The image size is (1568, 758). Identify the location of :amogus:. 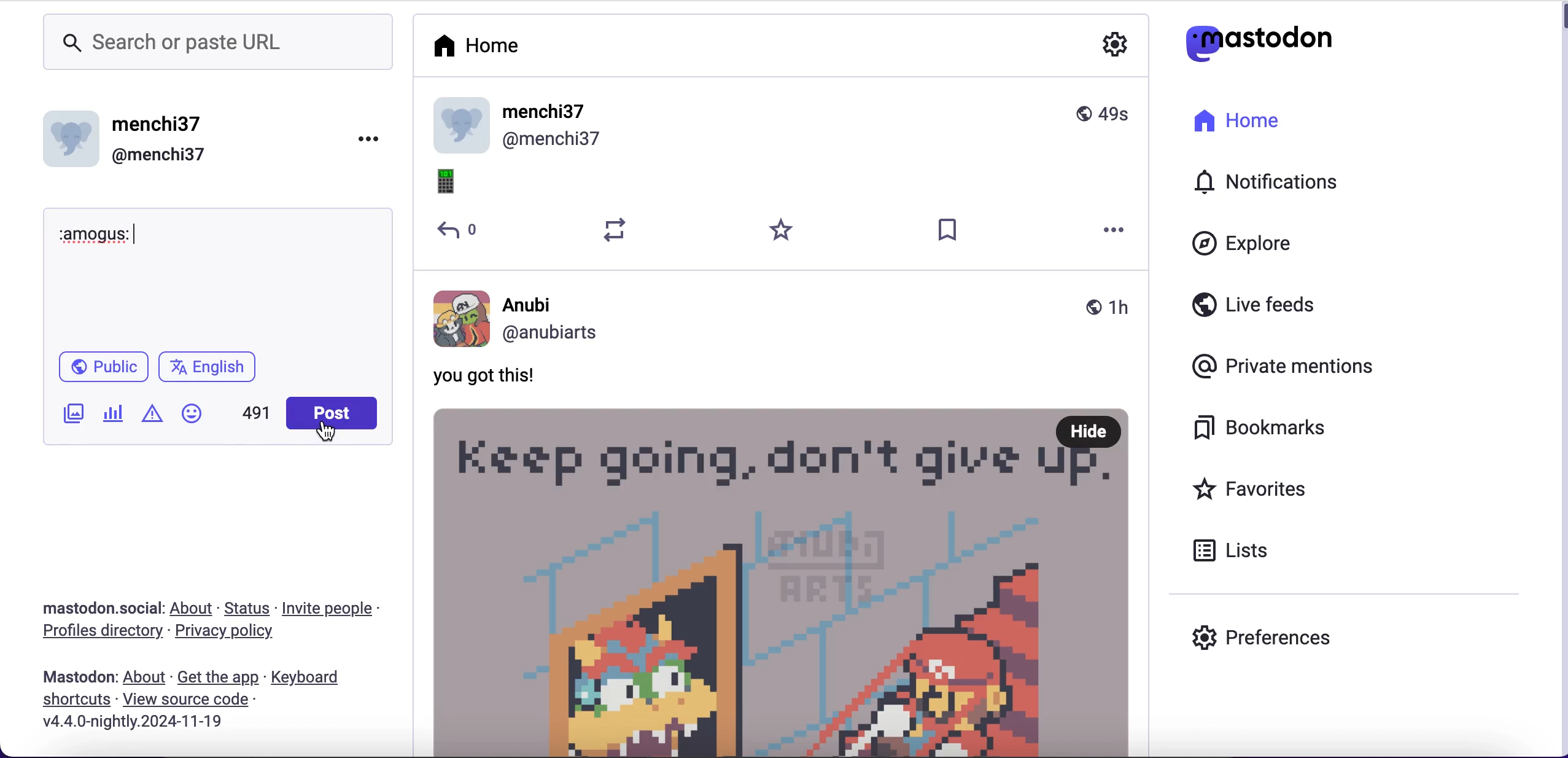
(101, 233).